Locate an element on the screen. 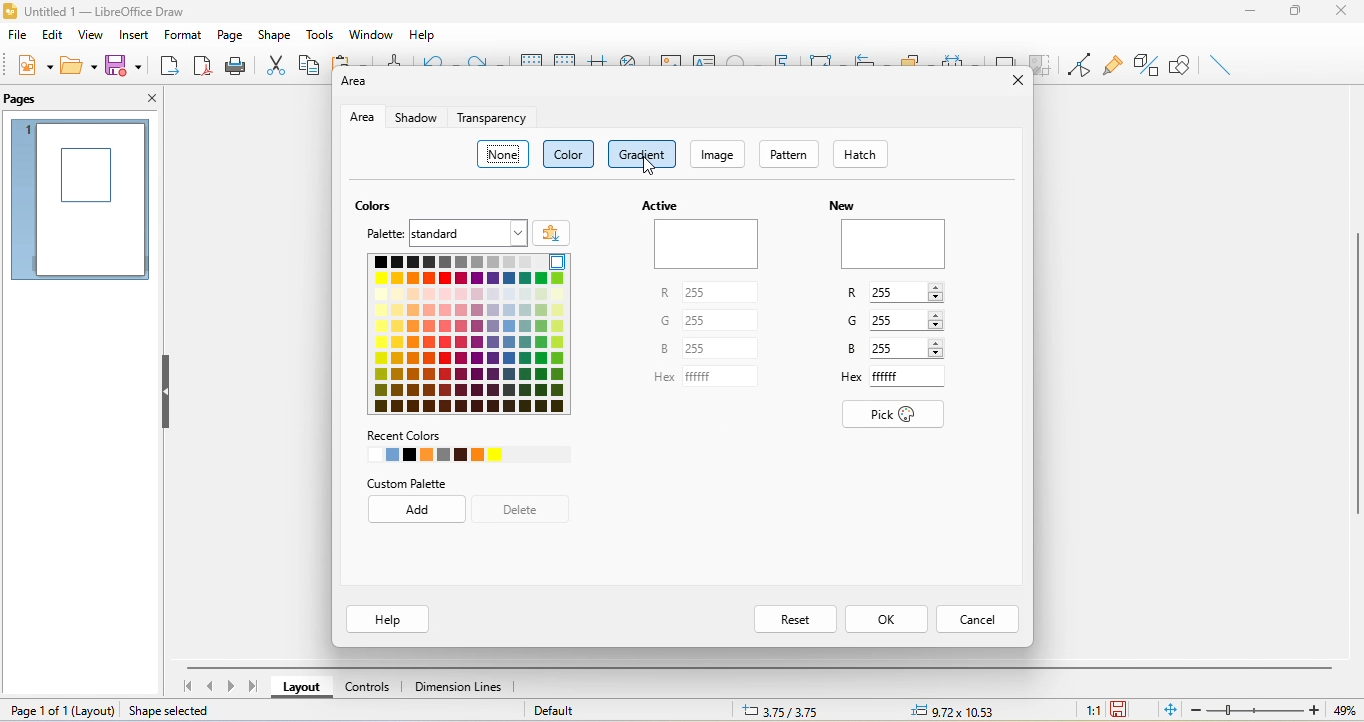 Image resolution: width=1364 pixels, height=722 pixels. r is located at coordinates (852, 296).